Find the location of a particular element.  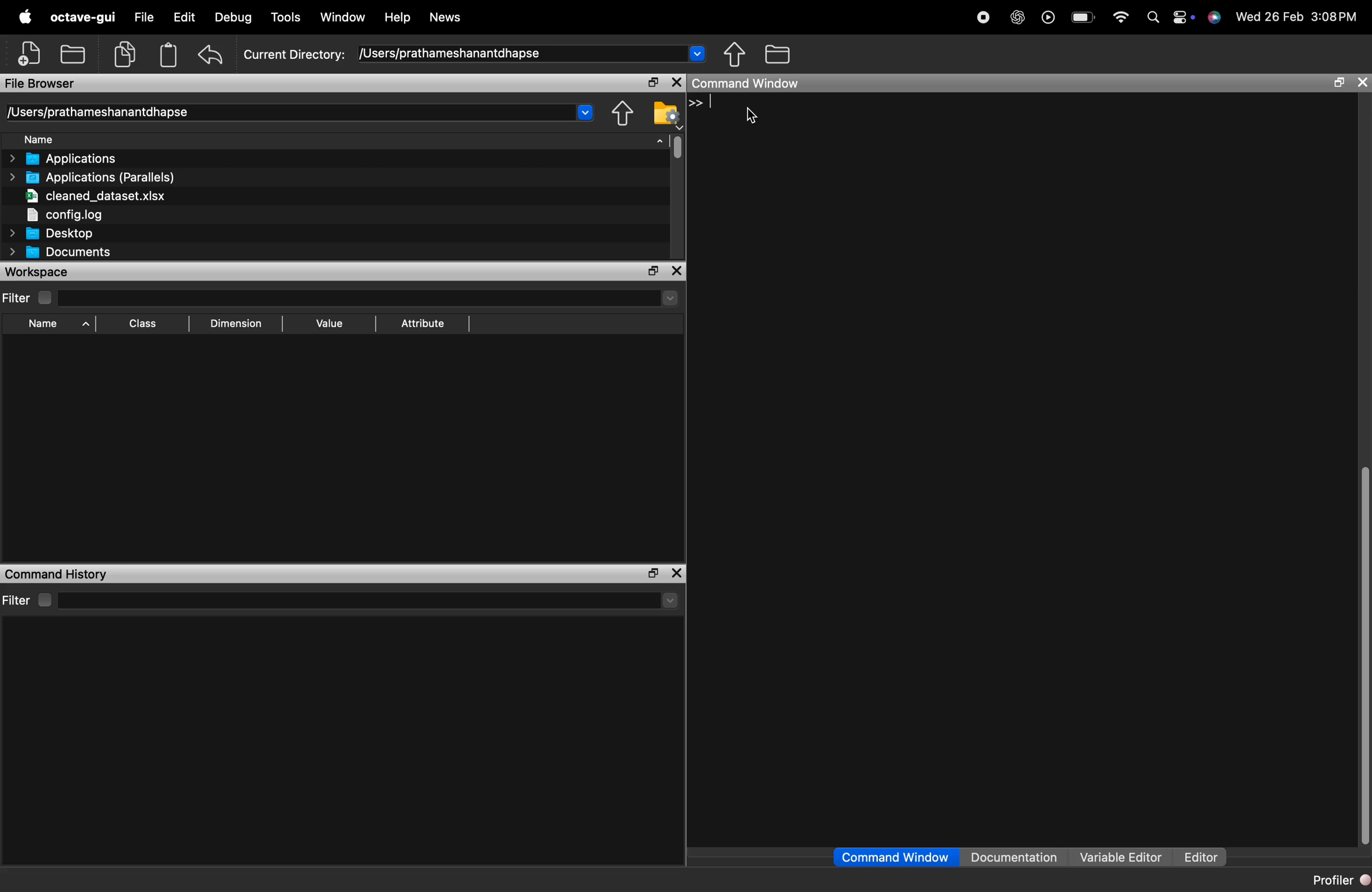

Command Window is located at coordinates (986, 84).